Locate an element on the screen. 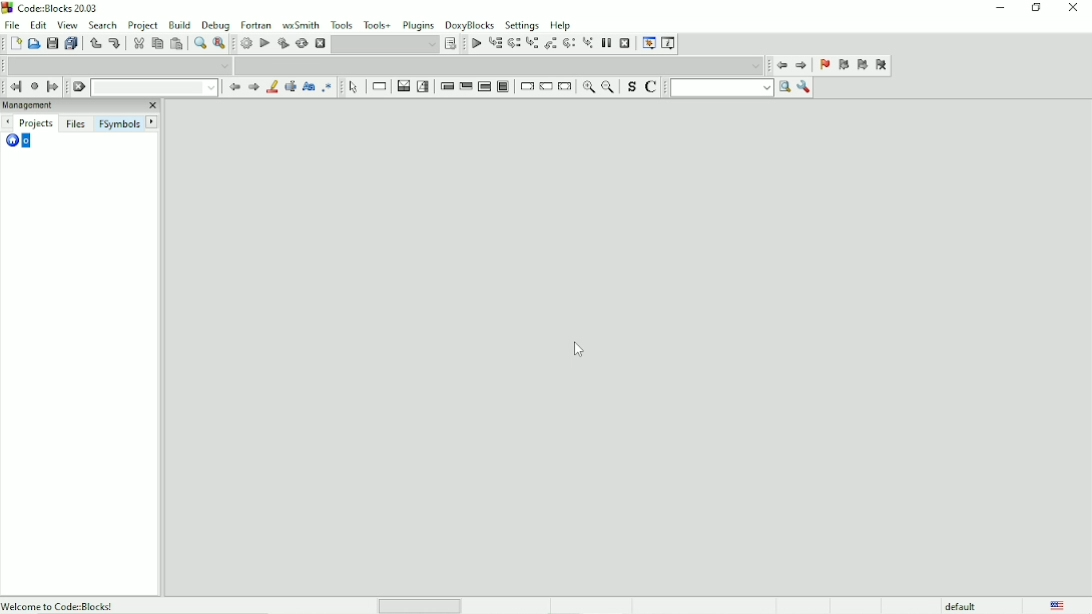 This screenshot has width=1092, height=614. Clear bookmarks is located at coordinates (881, 66).